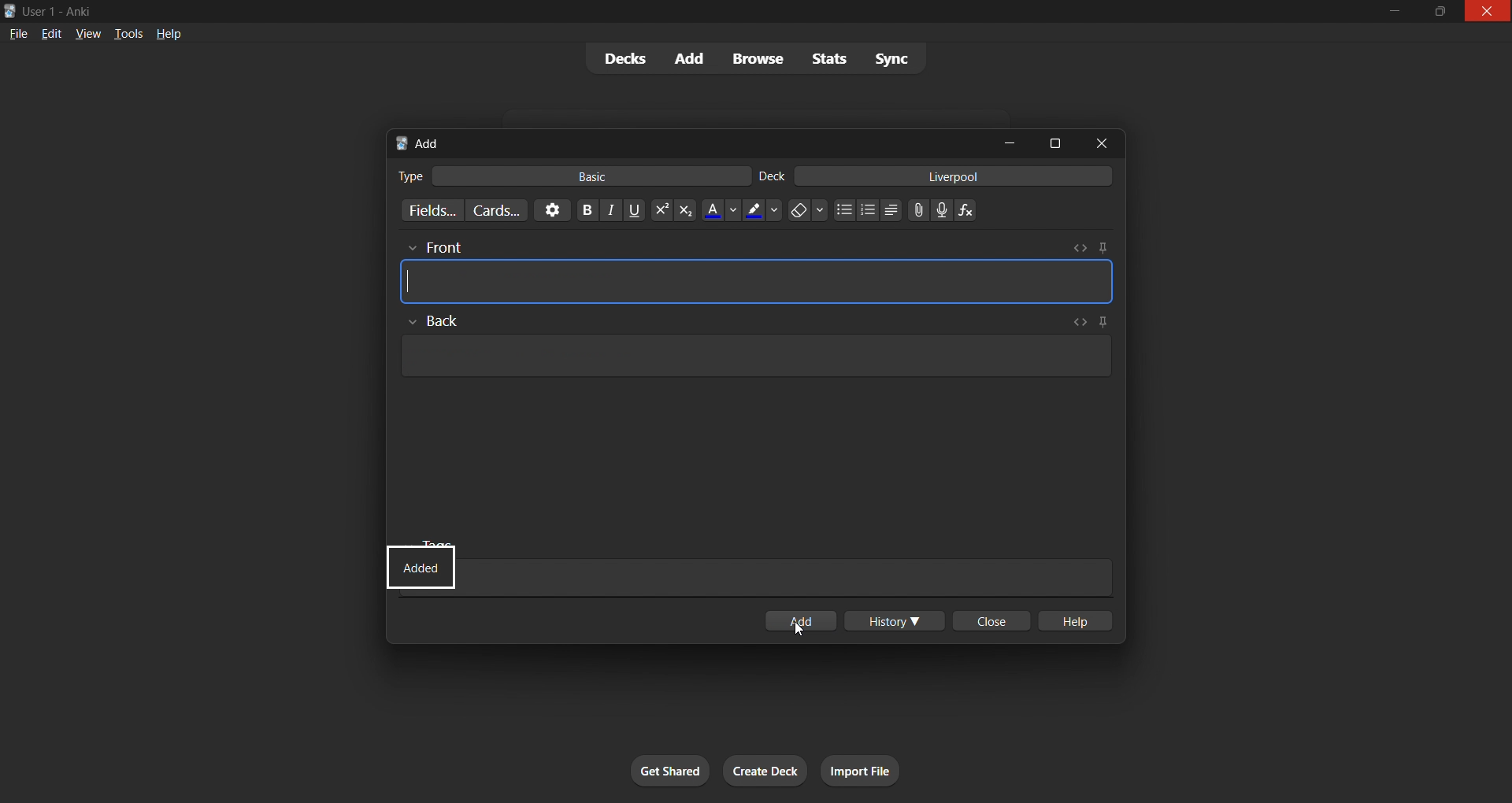 This screenshot has height=803, width=1512. Describe the element at coordinates (762, 211) in the screenshot. I see `font highlight` at that location.